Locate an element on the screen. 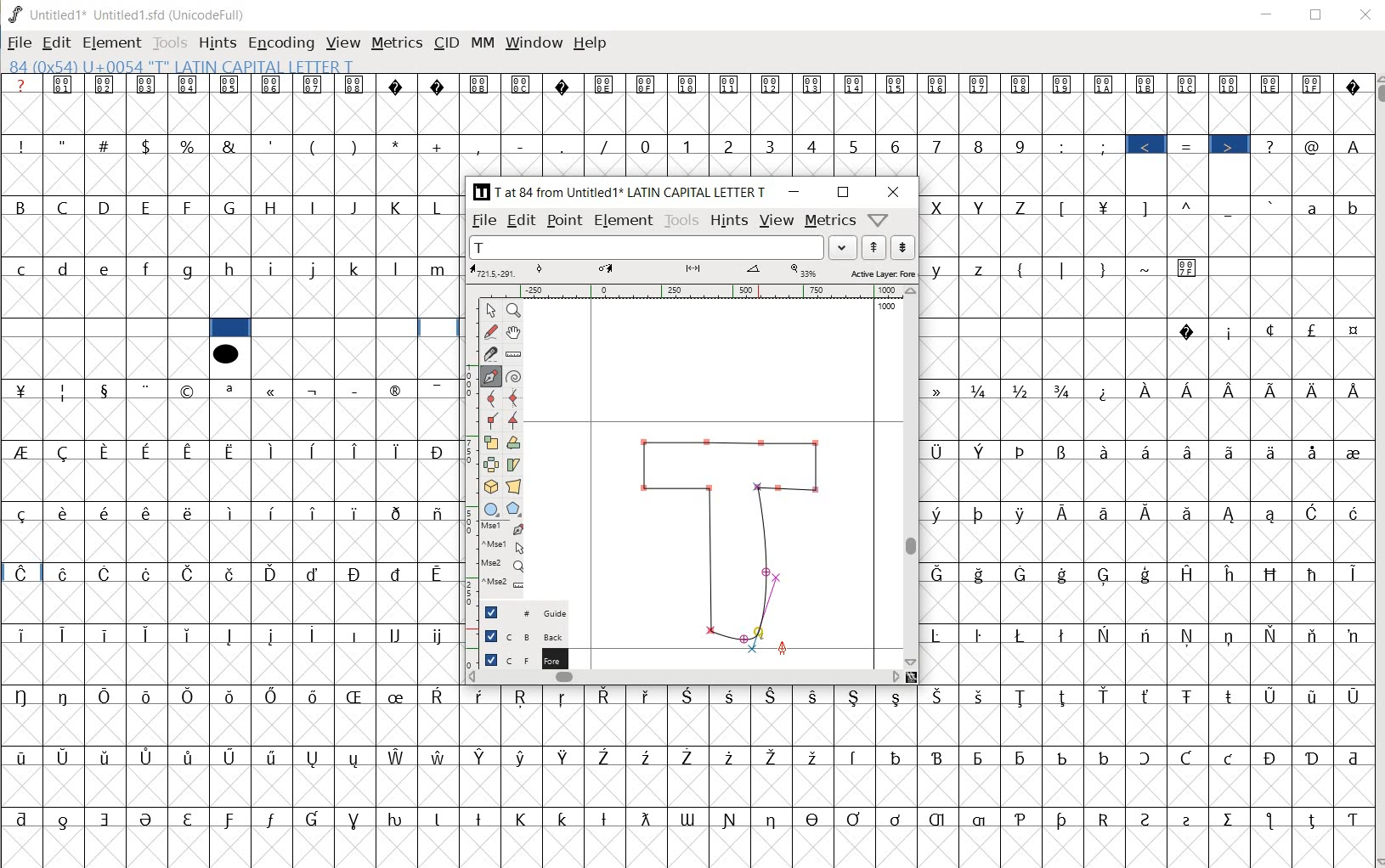  Symbol is located at coordinates (150, 757).